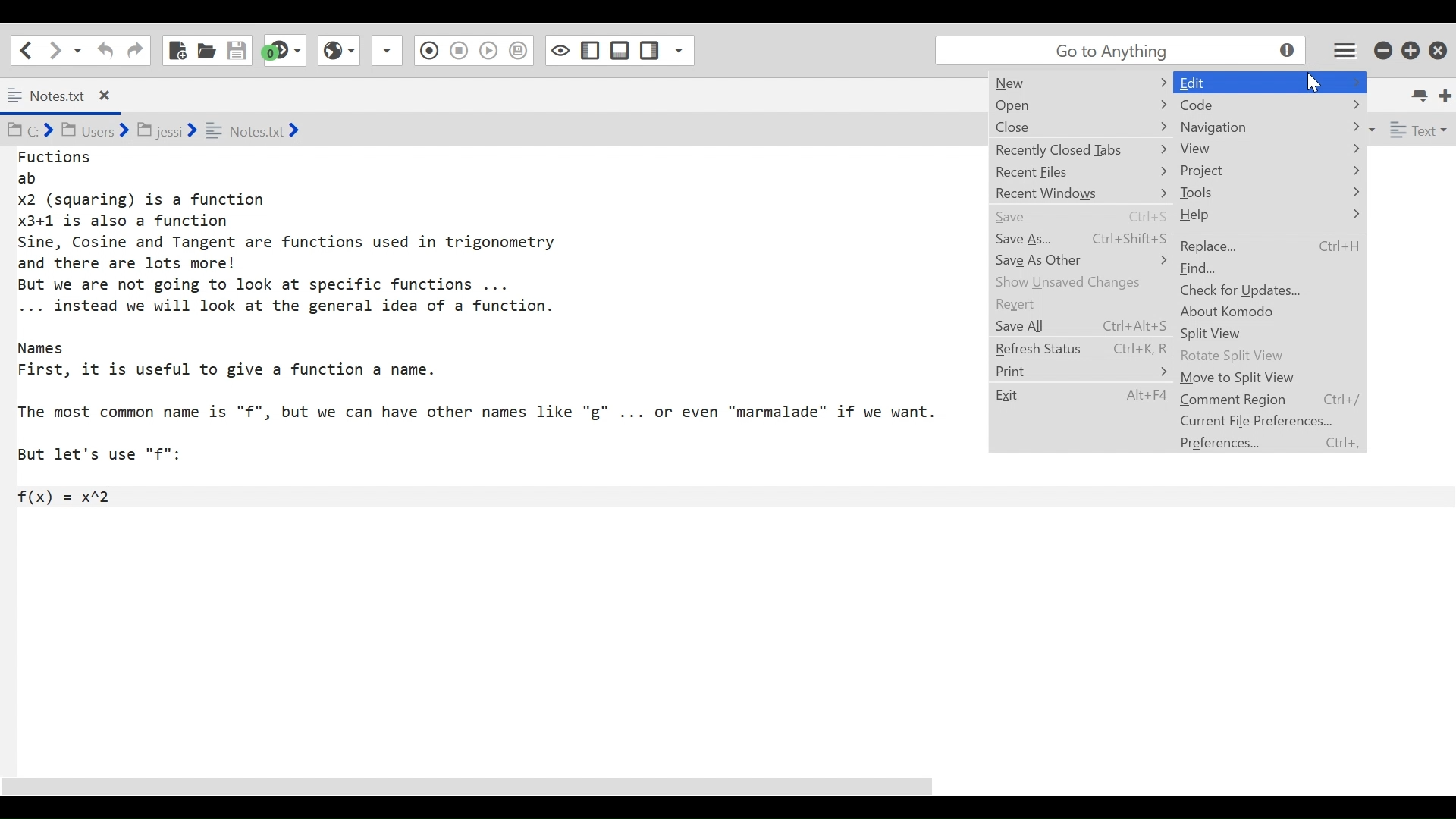 The image size is (1456, 819). Describe the element at coordinates (176, 50) in the screenshot. I see `New File` at that location.